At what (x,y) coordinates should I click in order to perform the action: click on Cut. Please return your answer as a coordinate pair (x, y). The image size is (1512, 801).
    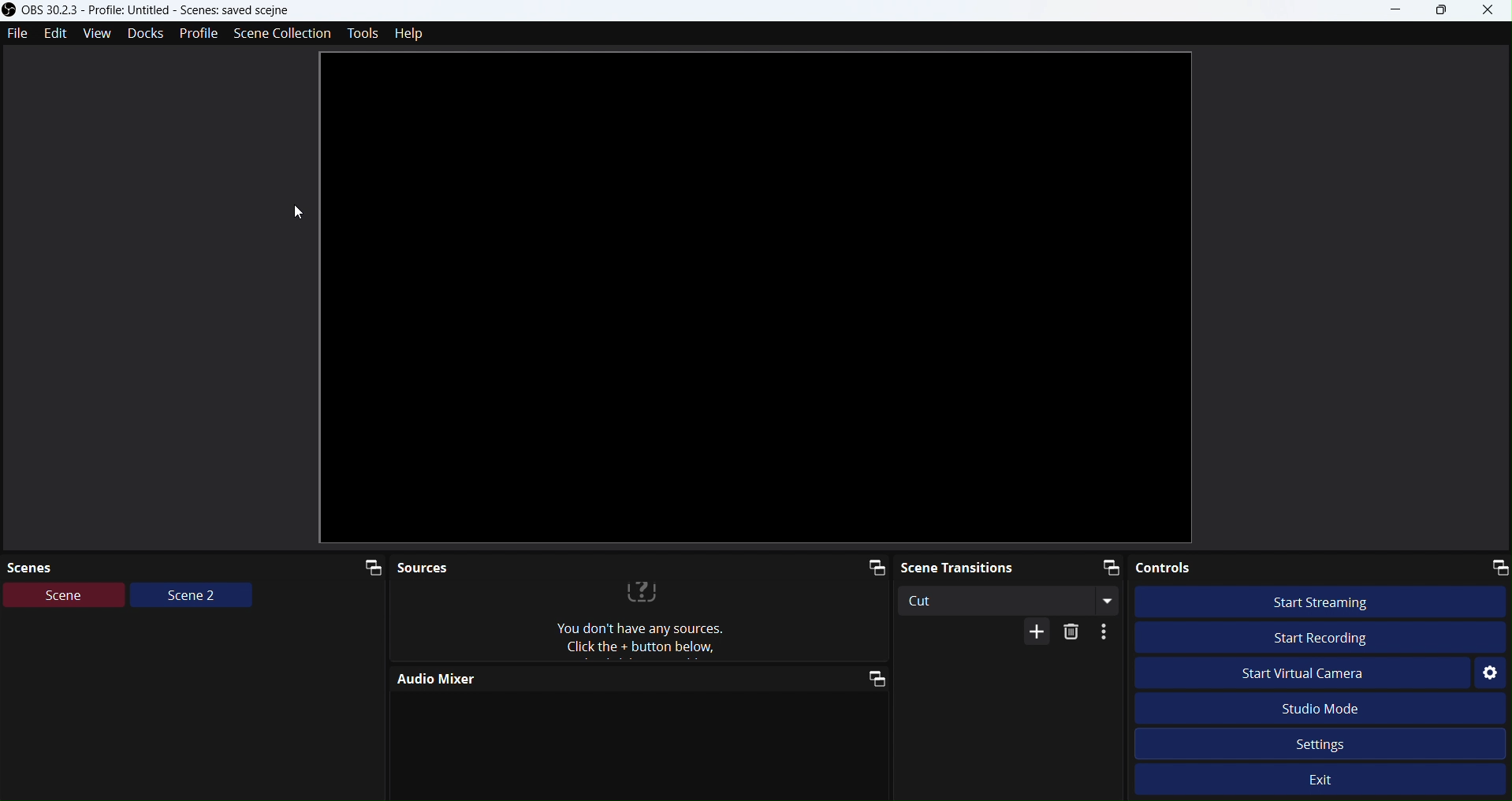
    Looking at the image, I should click on (1014, 600).